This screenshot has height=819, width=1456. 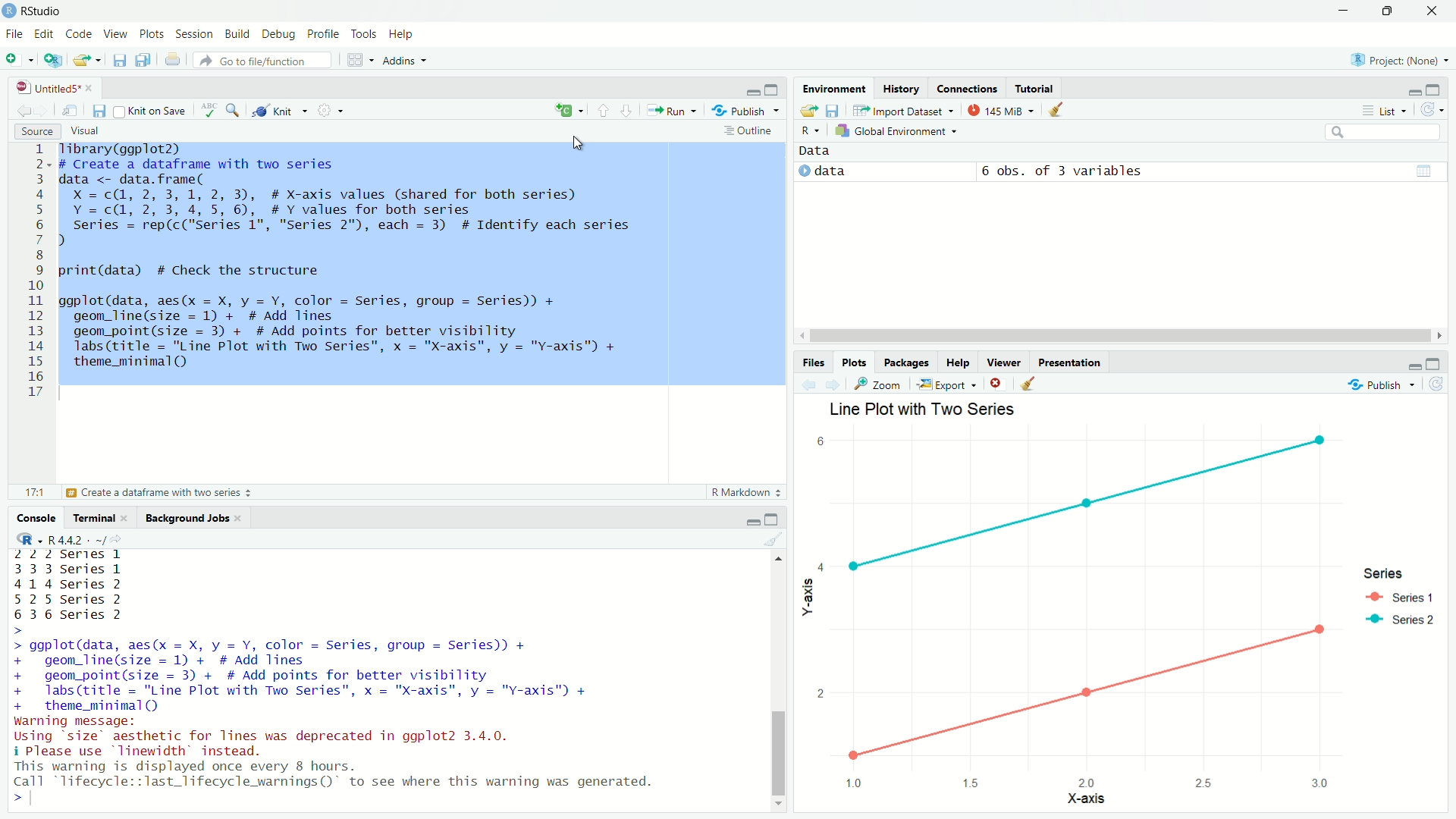 What do you see at coordinates (1077, 500) in the screenshot?
I see `Line Graph` at bounding box center [1077, 500].